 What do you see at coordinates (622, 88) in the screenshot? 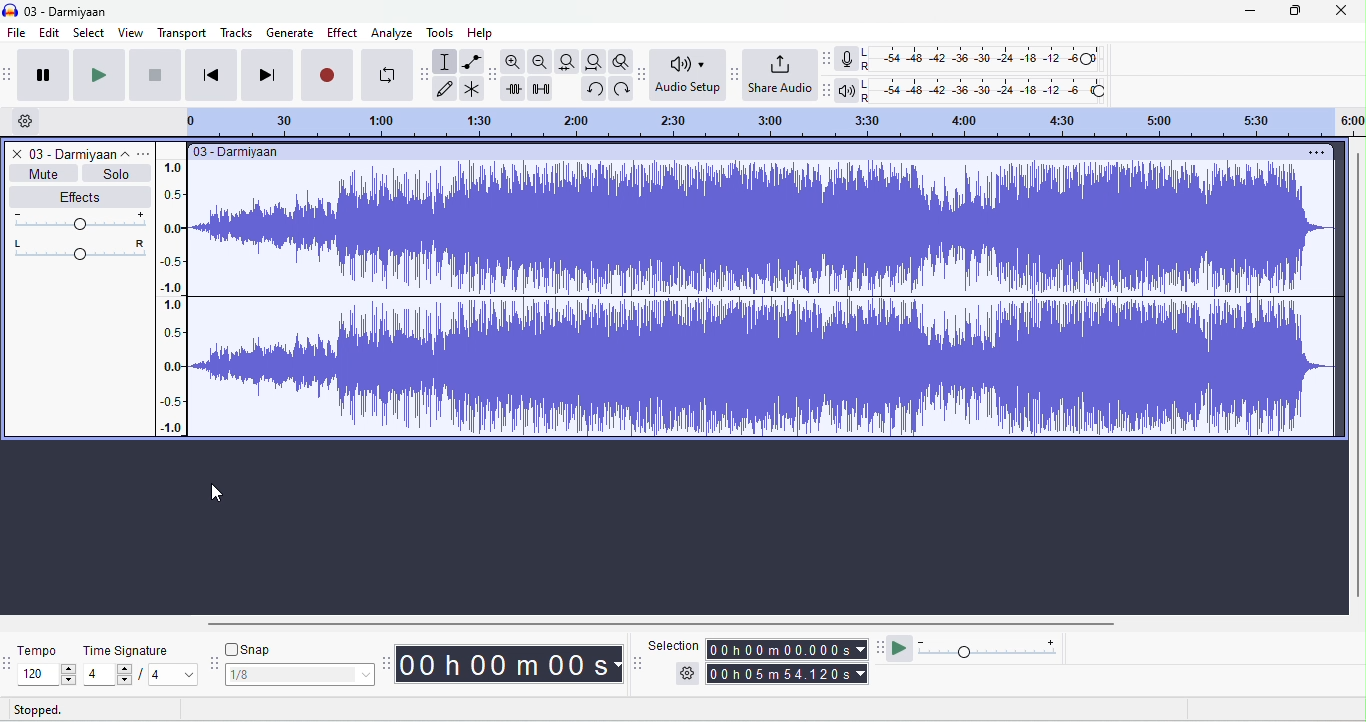
I see `redo` at bounding box center [622, 88].